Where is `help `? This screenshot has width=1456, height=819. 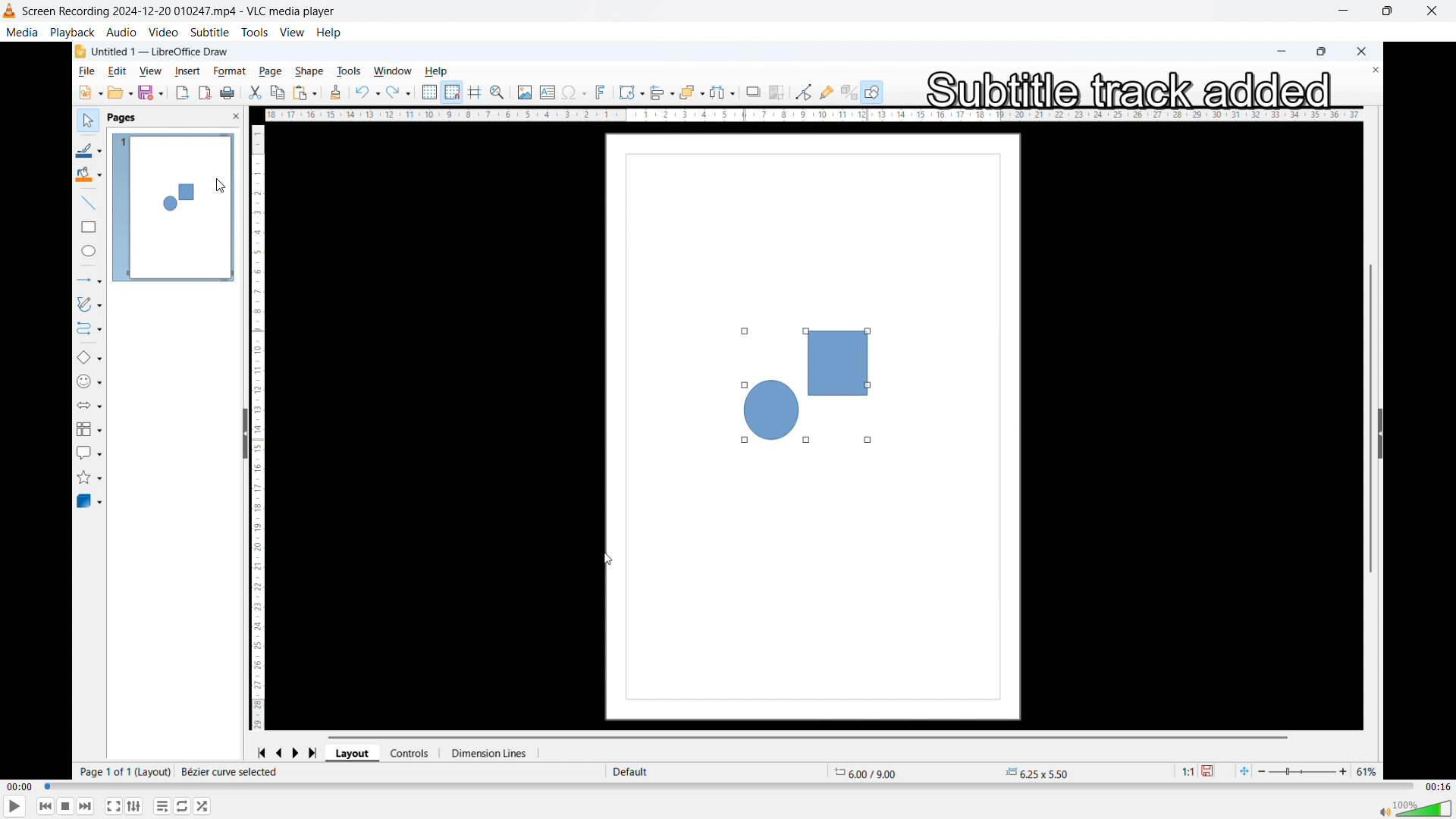
help  is located at coordinates (329, 33).